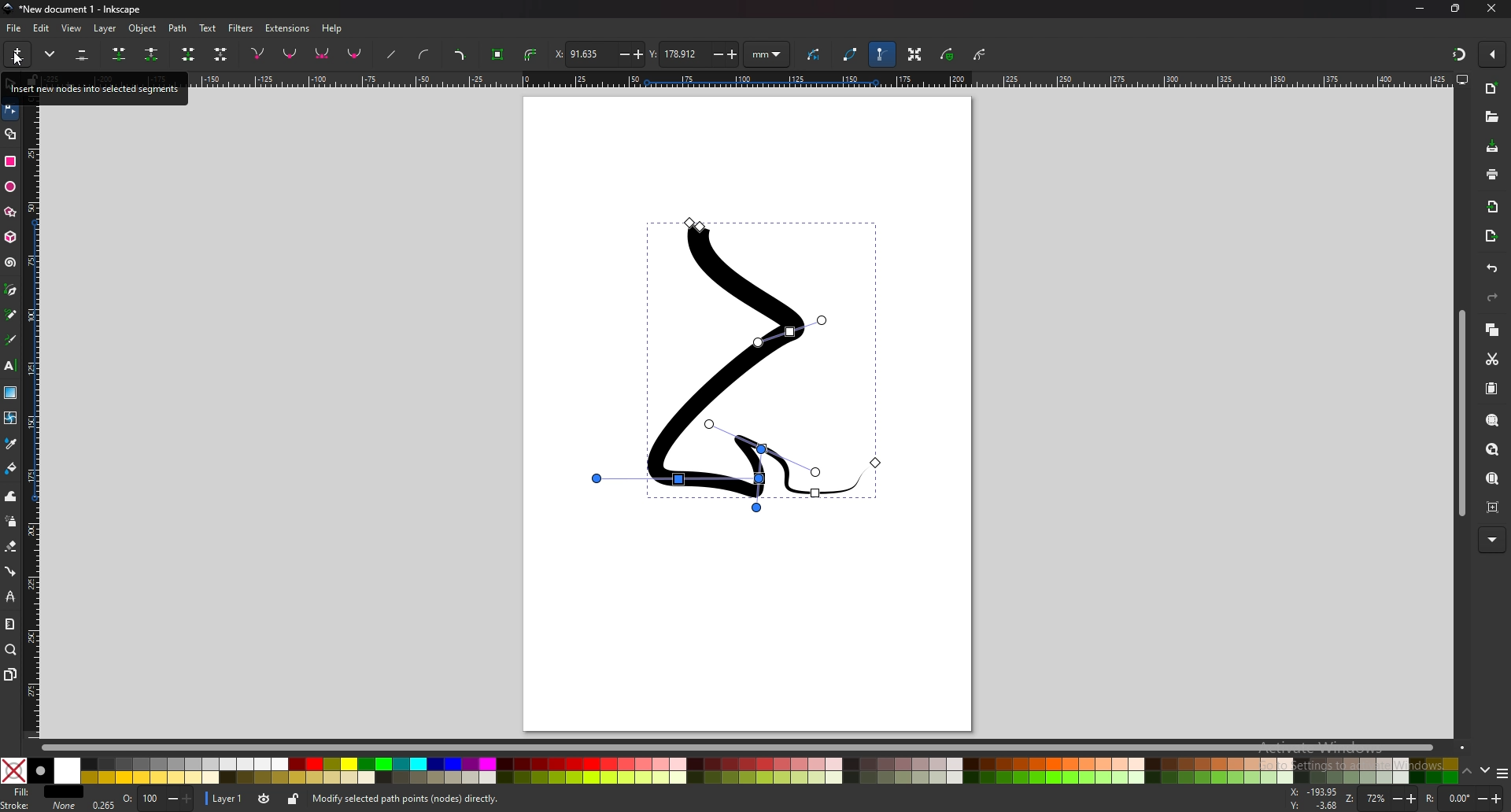  I want to click on rotate, so click(1462, 797).